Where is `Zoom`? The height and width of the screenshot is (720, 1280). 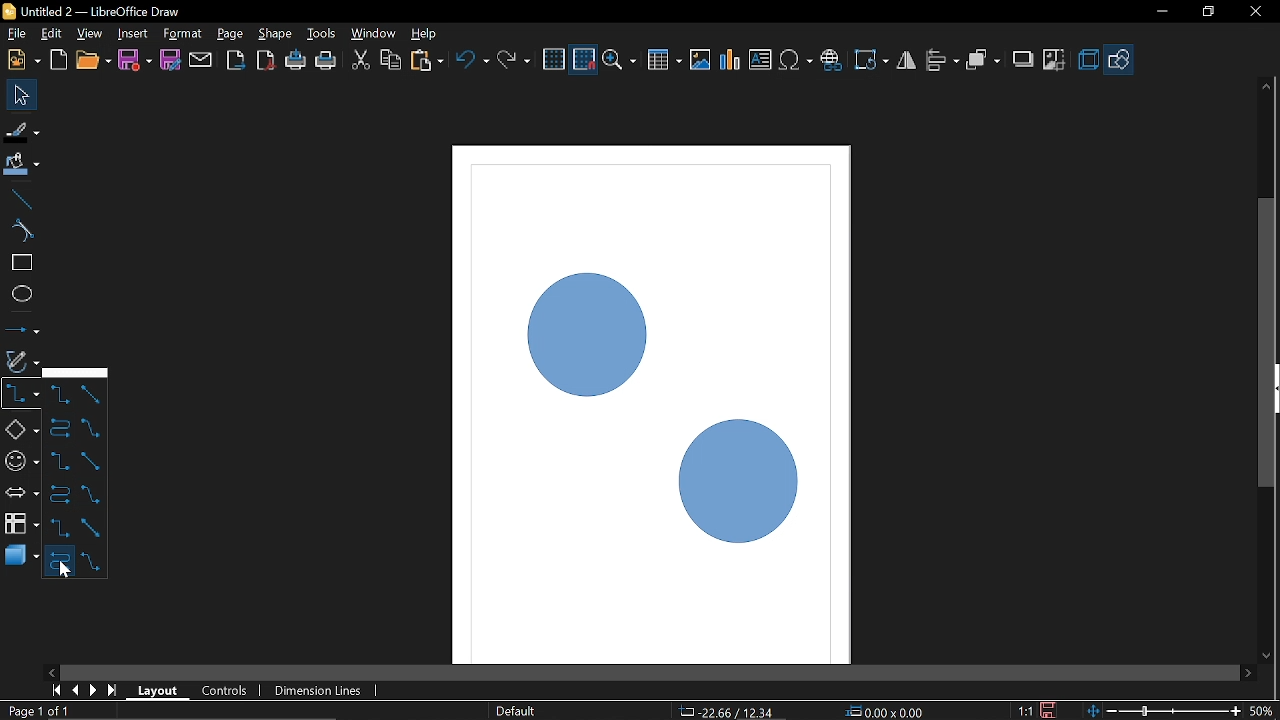 Zoom is located at coordinates (622, 59).